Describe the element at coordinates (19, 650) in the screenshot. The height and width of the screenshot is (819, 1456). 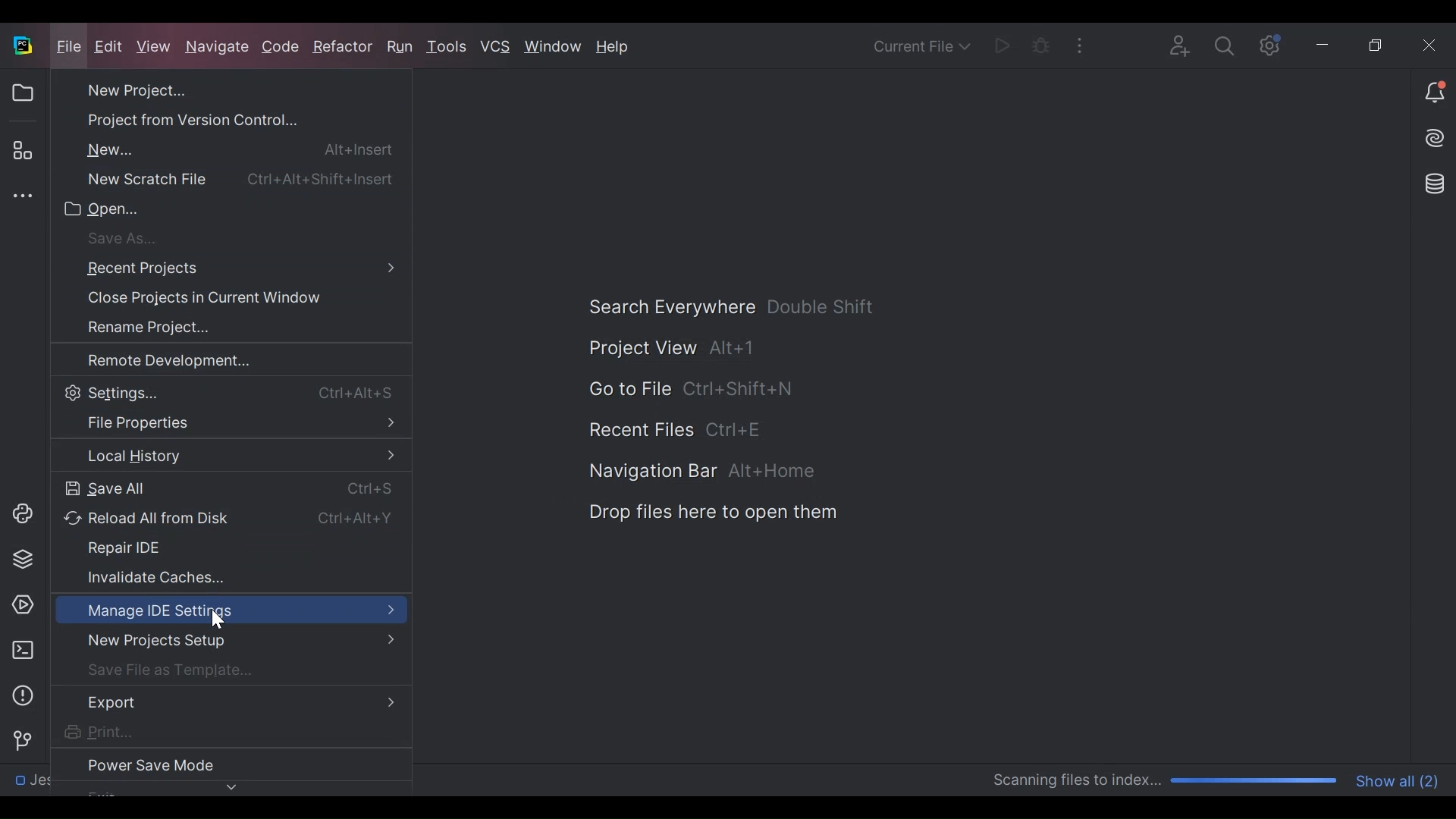
I see `Terminal` at that location.